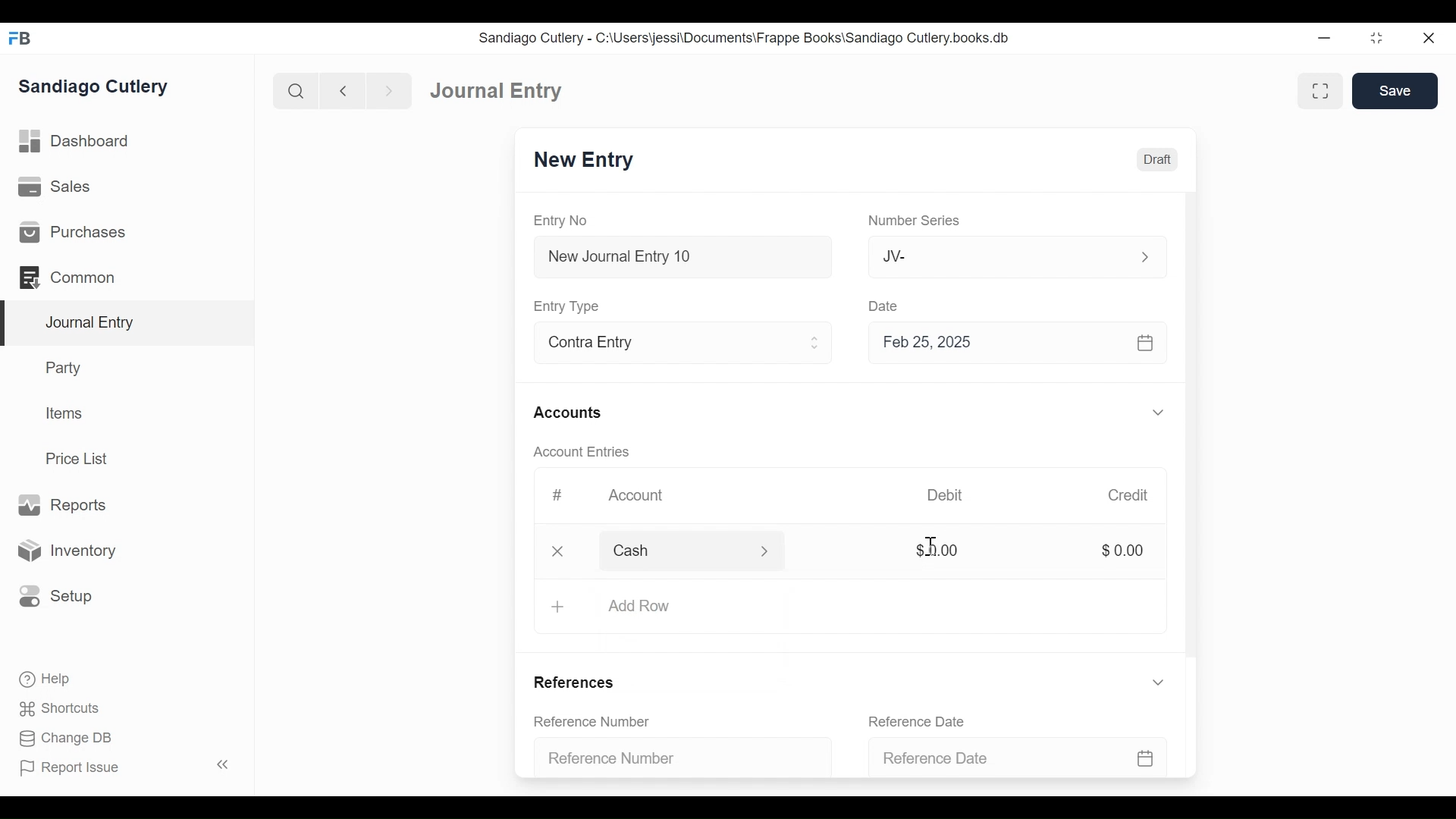 The image size is (1456, 819). I want to click on Party, so click(61, 368).